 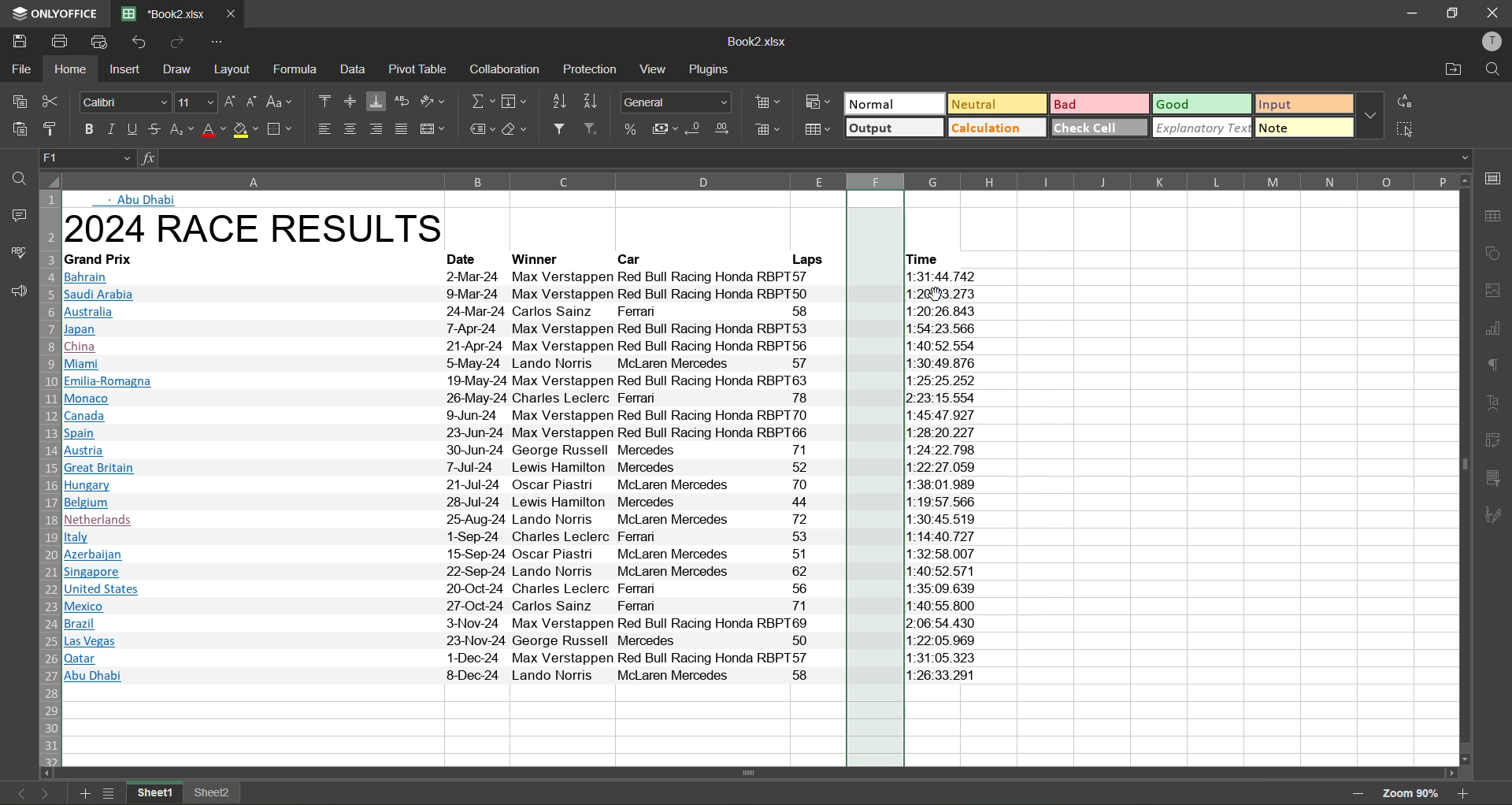 I want to click on draw, so click(x=175, y=69).